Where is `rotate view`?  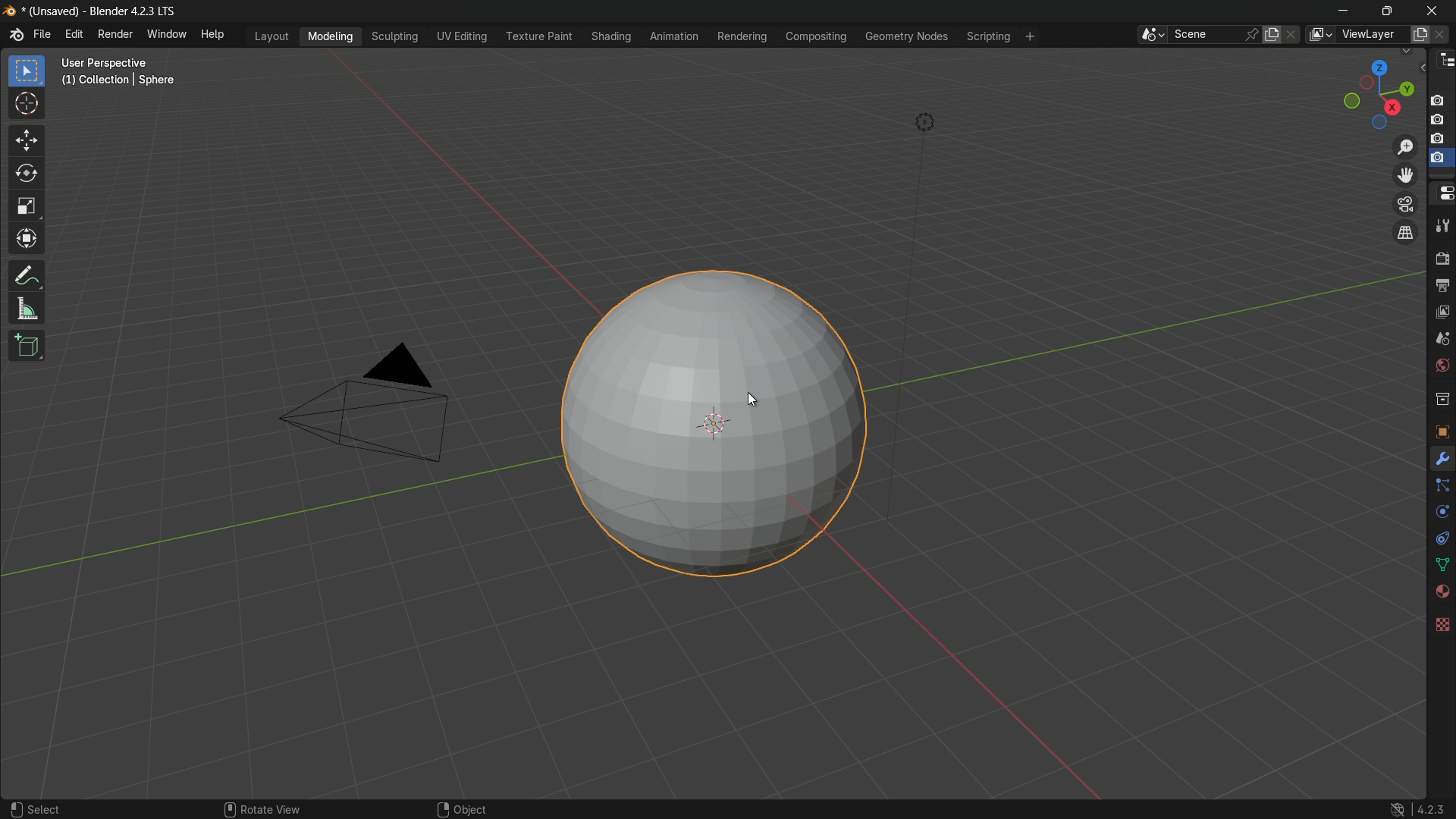 rotate view is located at coordinates (273, 802).